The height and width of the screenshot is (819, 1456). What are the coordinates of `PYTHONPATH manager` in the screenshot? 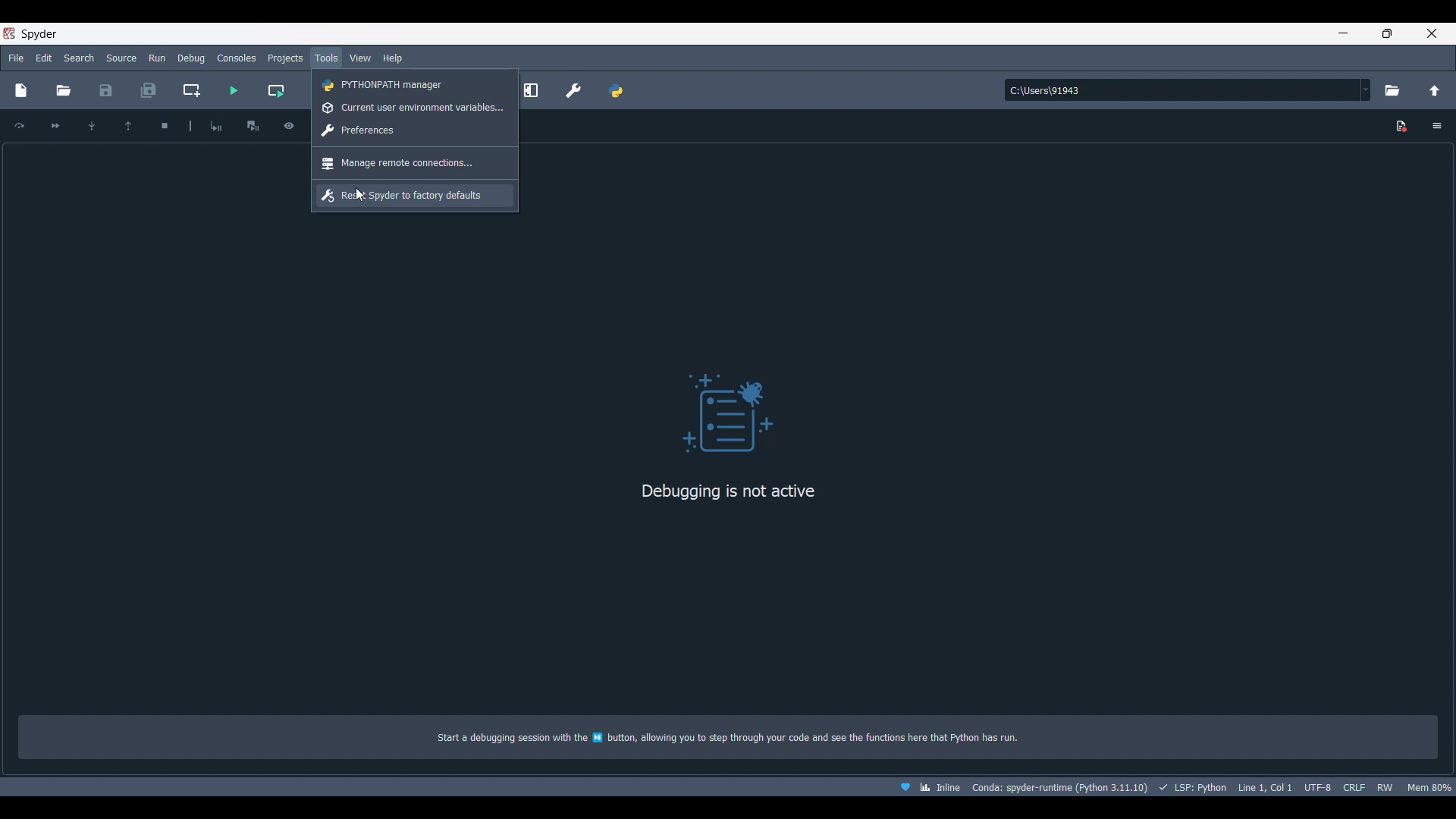 It's located at (616, 90).